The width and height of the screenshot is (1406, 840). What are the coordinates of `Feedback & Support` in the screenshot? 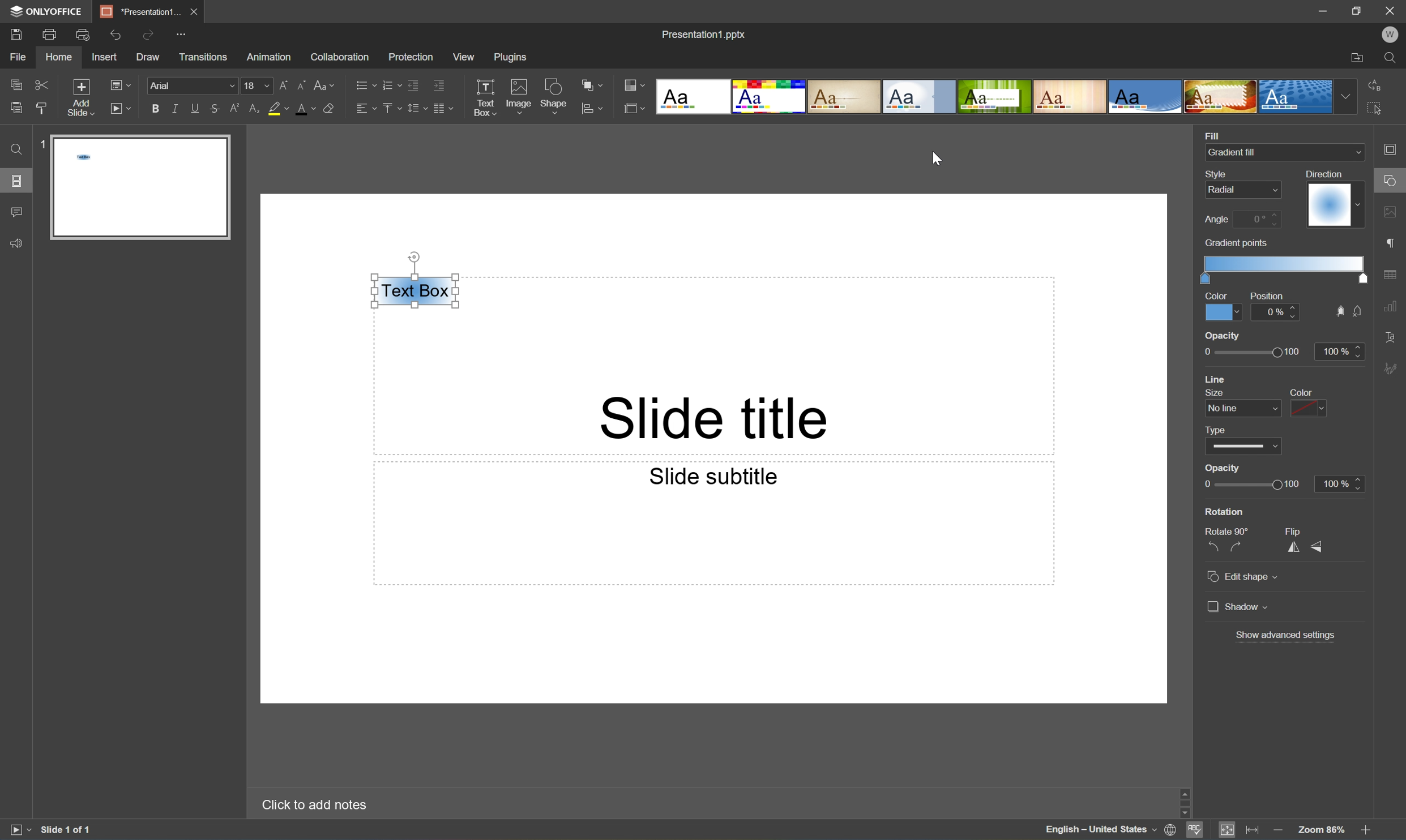 It's located at (16, 244).